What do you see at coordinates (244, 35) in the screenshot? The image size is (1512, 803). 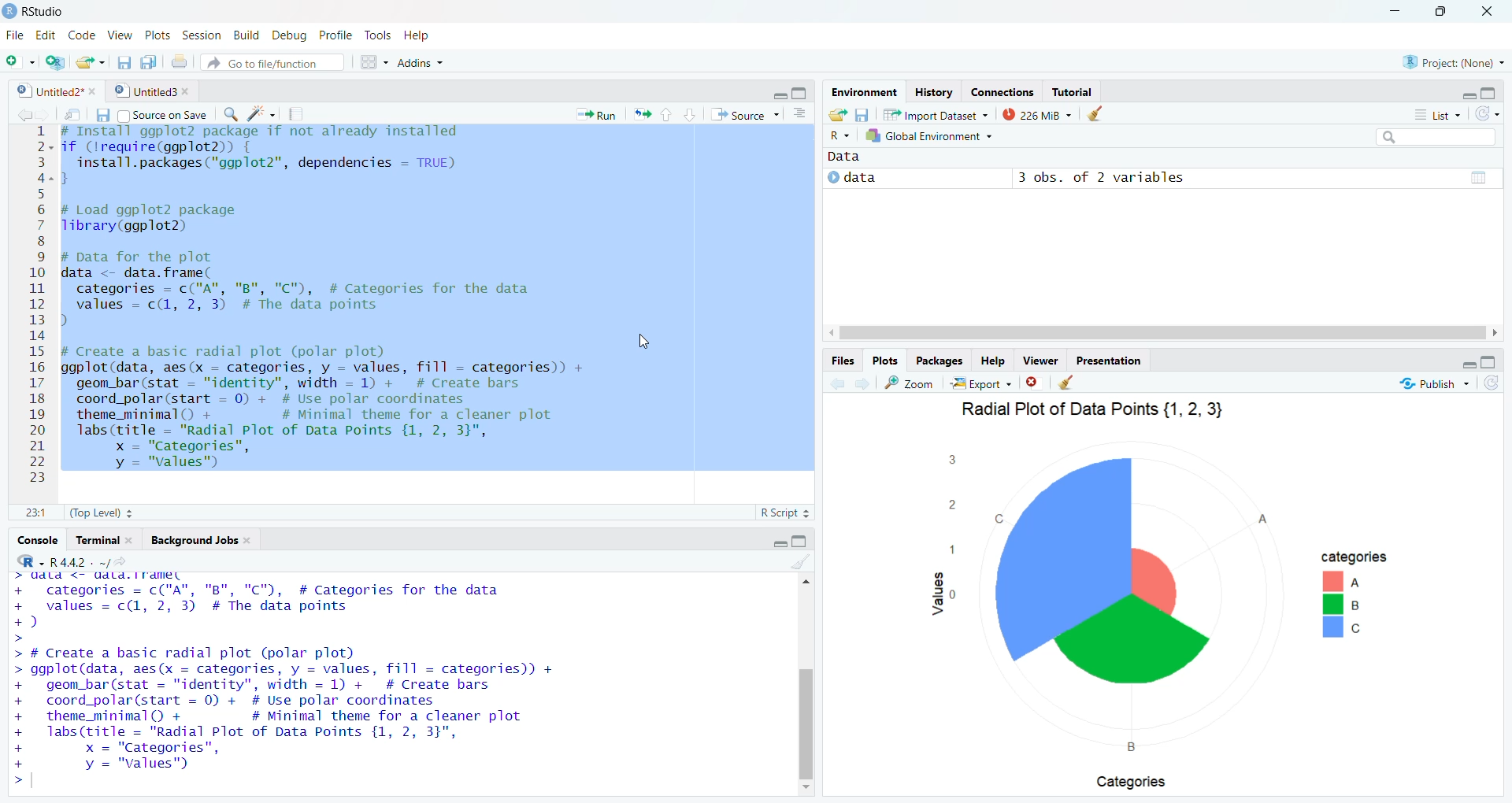 I see `Build` at bounding box center [244, 35].